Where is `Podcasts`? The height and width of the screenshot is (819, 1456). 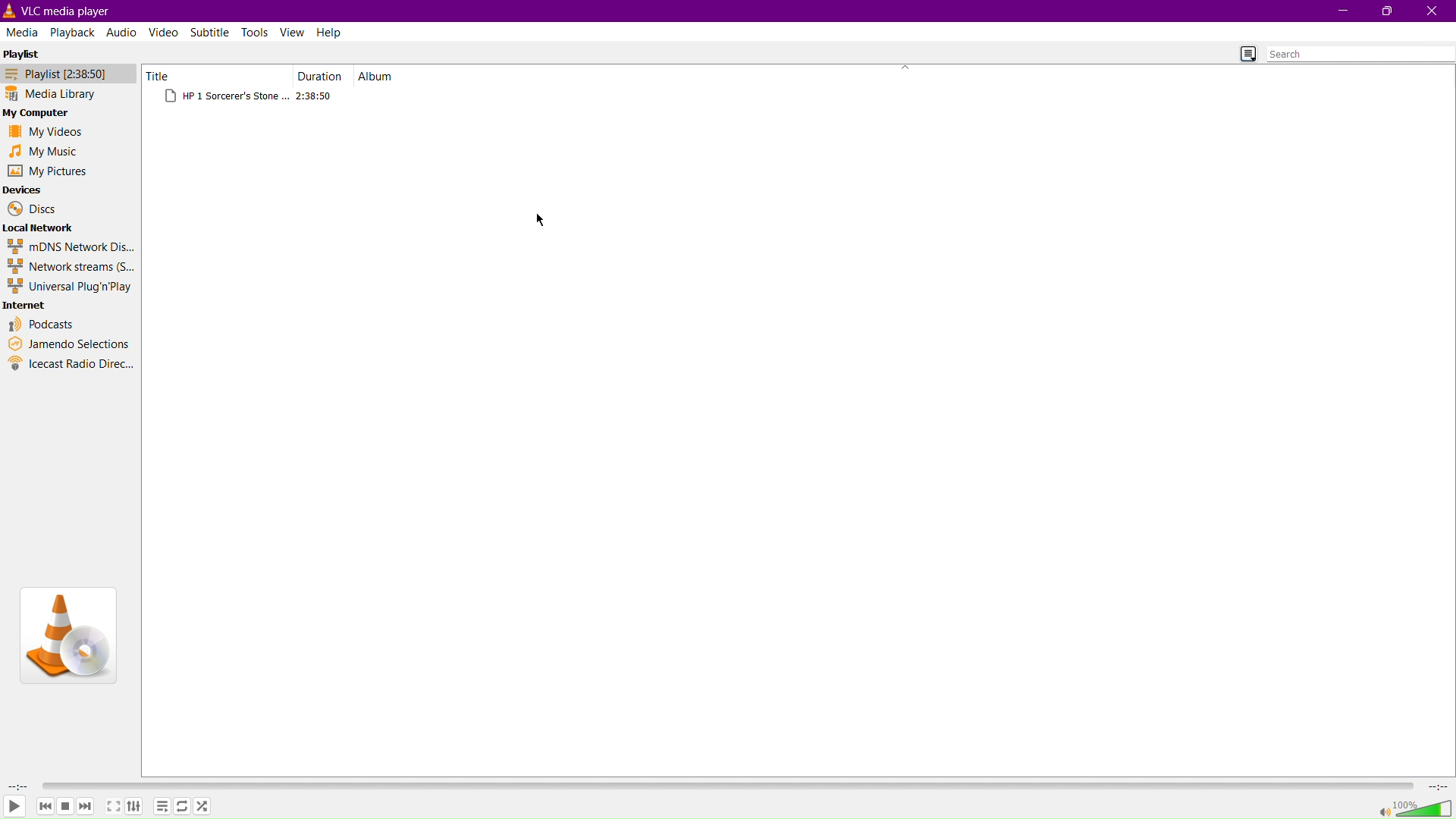 Podcasts is located at coordinates (42, 324).